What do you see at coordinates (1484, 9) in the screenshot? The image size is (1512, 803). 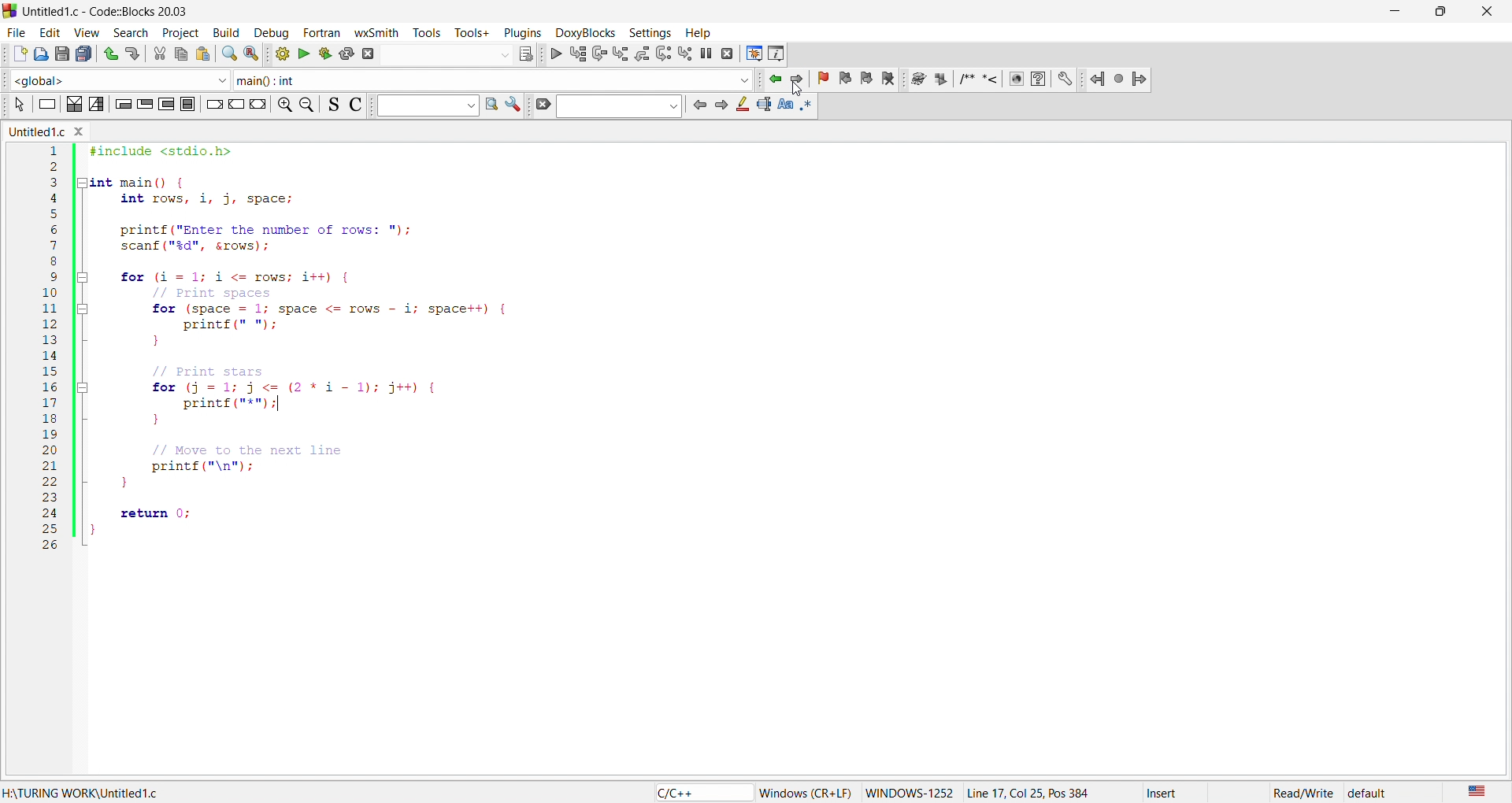 I see `close` at bounding box center [1484, 9].